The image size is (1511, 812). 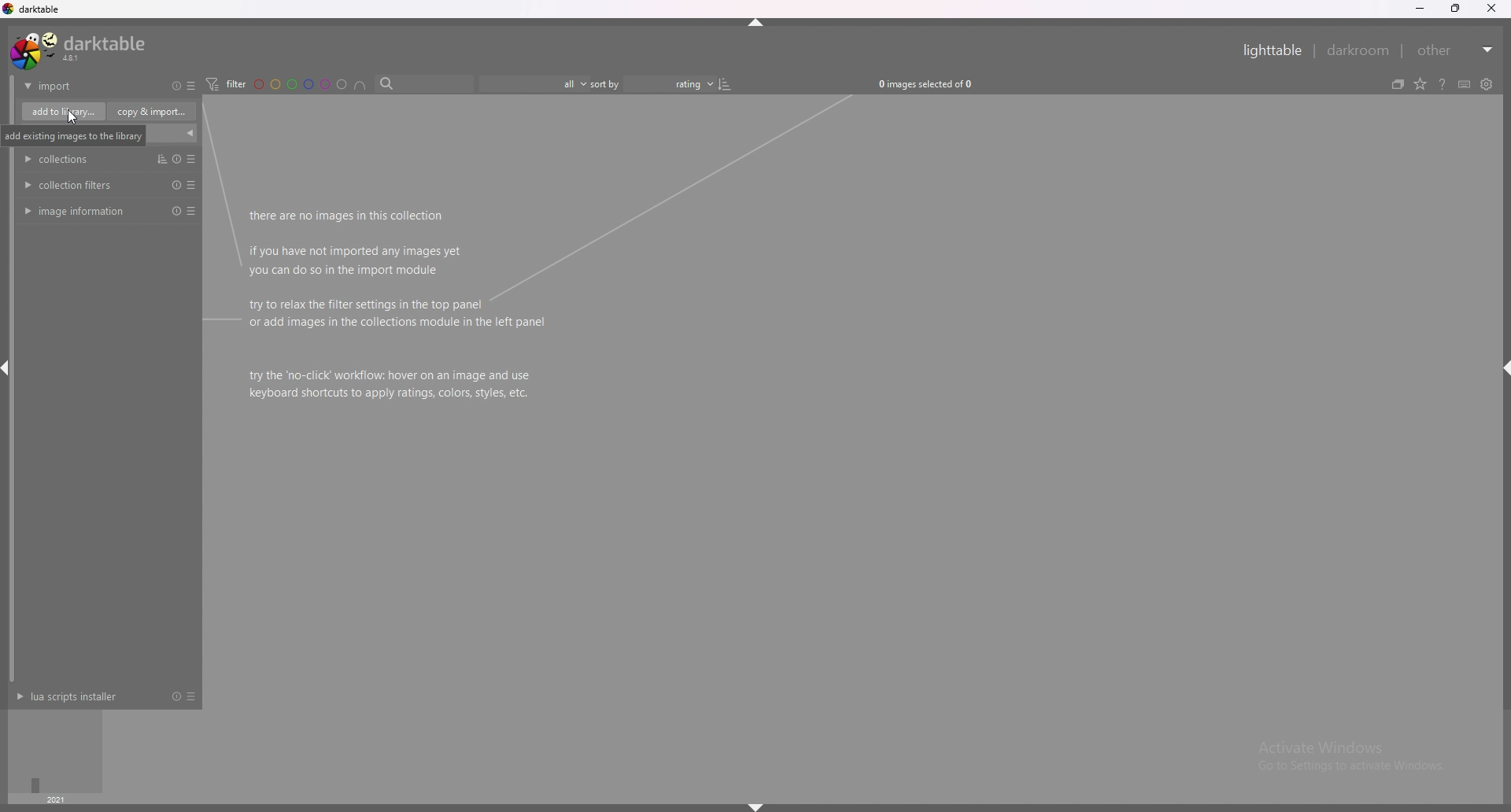 I want to click on shift+ctlr+b, so click(x=756, y=806).